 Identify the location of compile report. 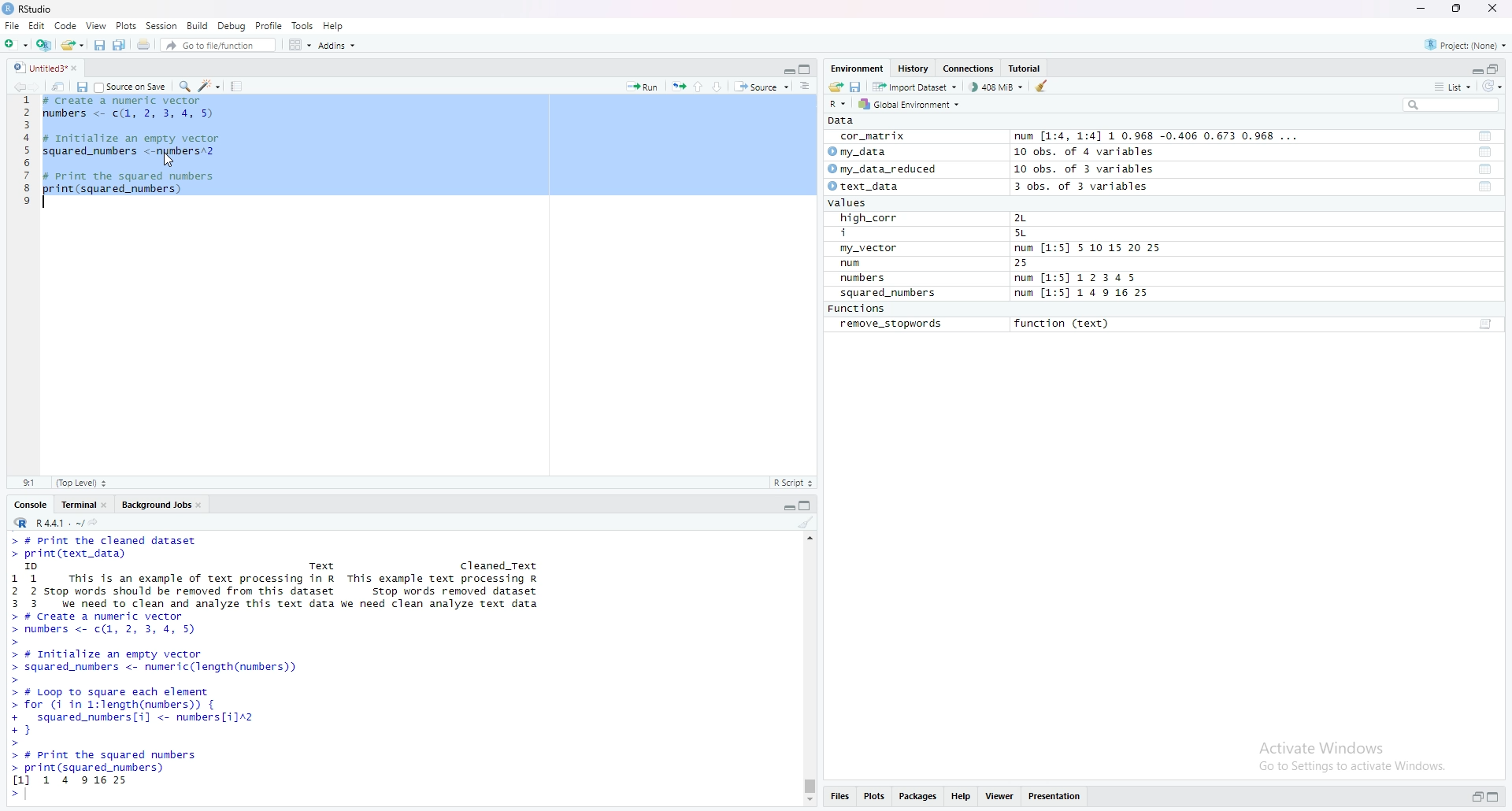
(236, 86).